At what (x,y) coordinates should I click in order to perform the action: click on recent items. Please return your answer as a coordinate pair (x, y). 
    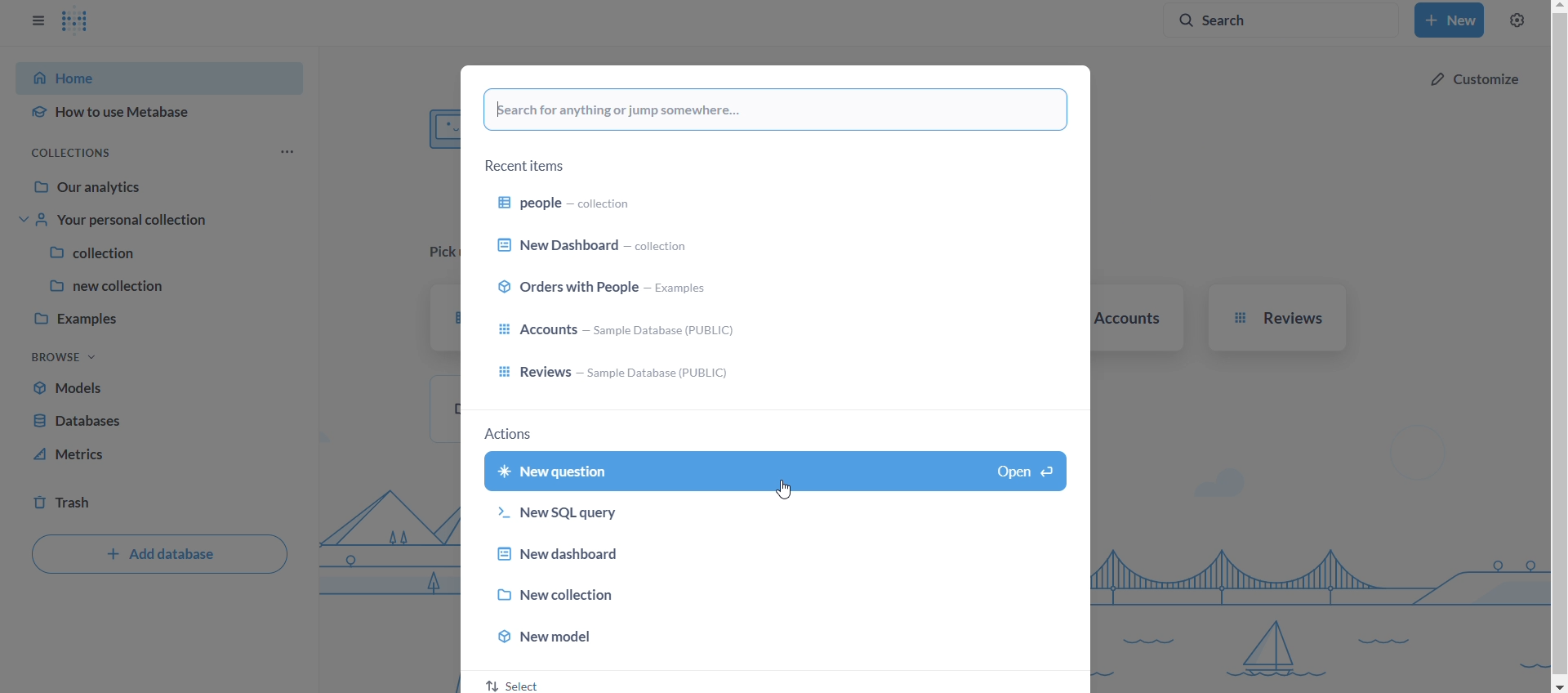
    Looking at the image, I should click on (532, 163).